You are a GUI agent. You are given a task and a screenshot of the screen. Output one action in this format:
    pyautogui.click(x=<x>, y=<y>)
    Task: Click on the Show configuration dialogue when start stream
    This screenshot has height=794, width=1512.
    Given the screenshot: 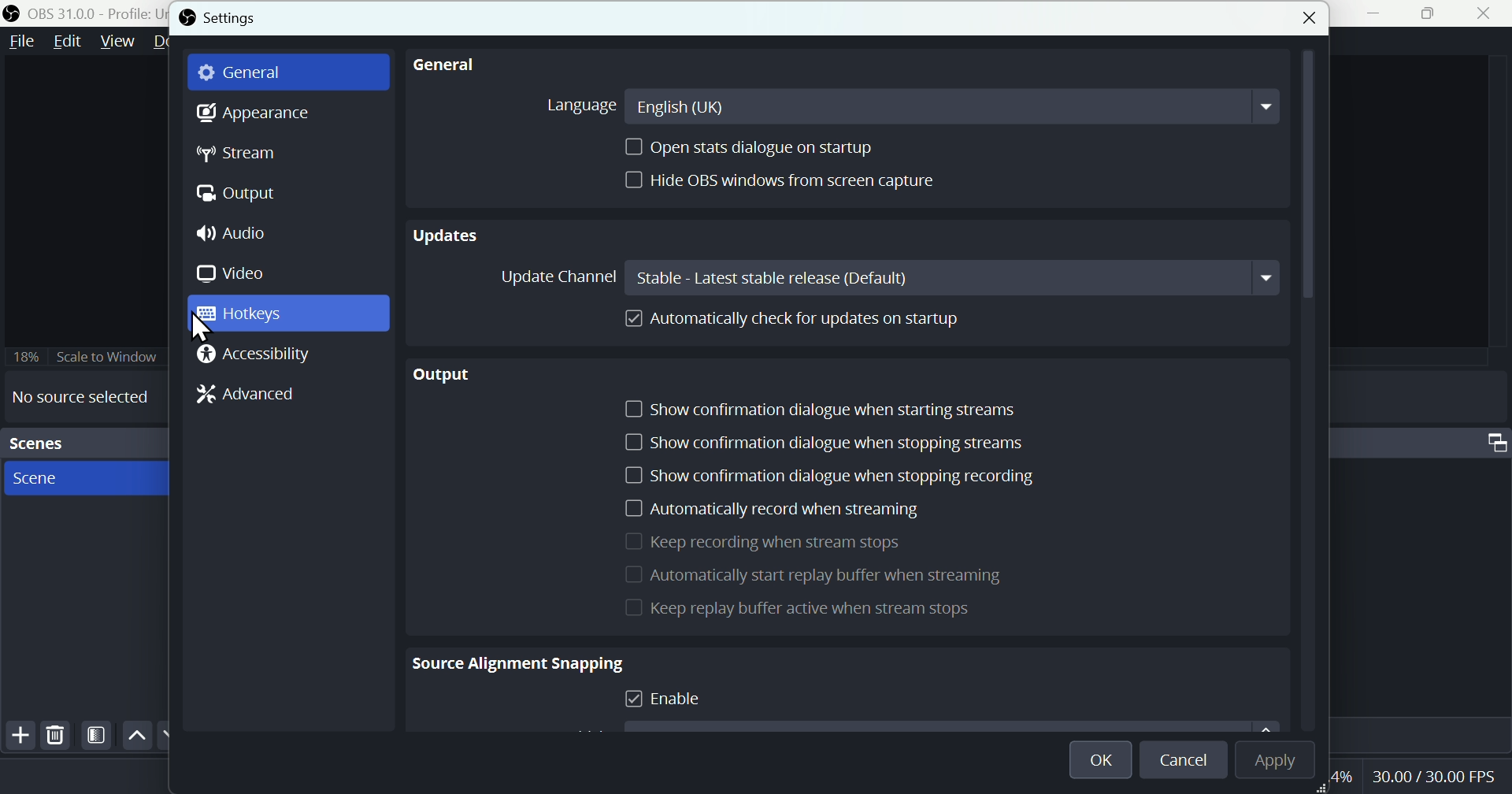 What is the action you would take?
    pyautogui.click(x=821, y=406)
    